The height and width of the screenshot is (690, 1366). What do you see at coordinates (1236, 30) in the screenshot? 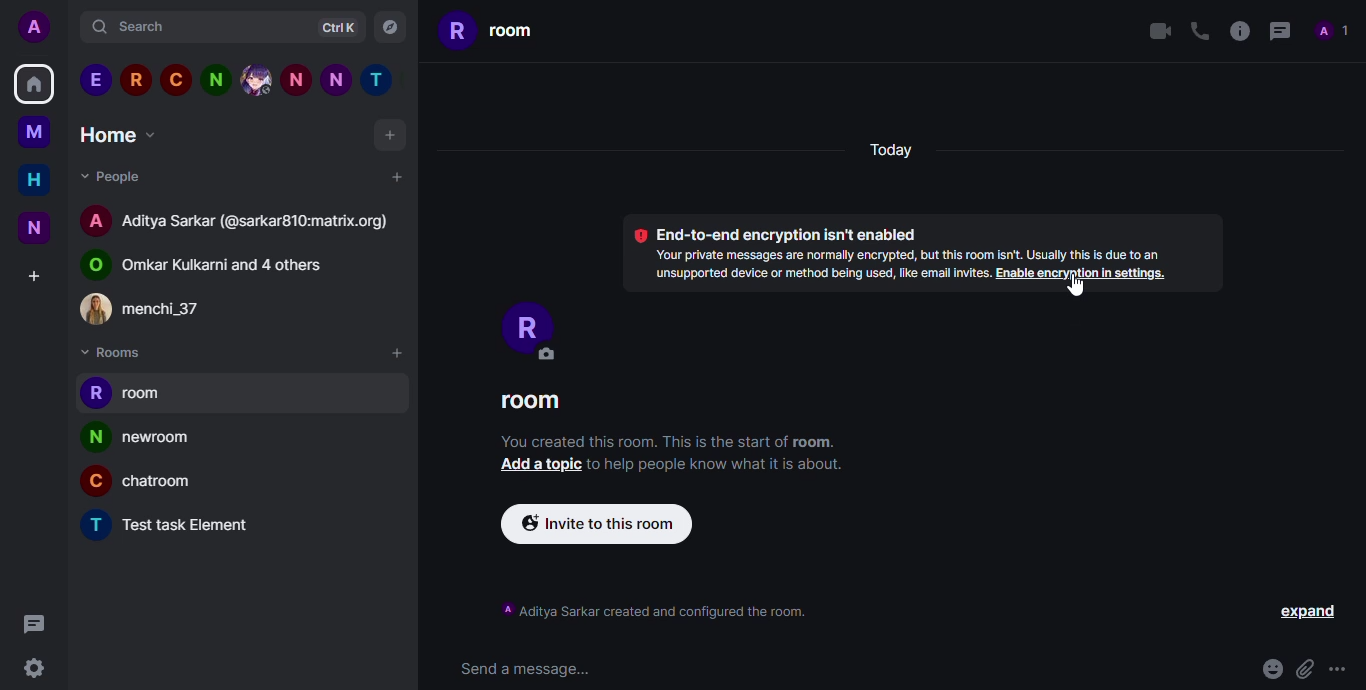
I see `info` at bounding box center [1236, 30].